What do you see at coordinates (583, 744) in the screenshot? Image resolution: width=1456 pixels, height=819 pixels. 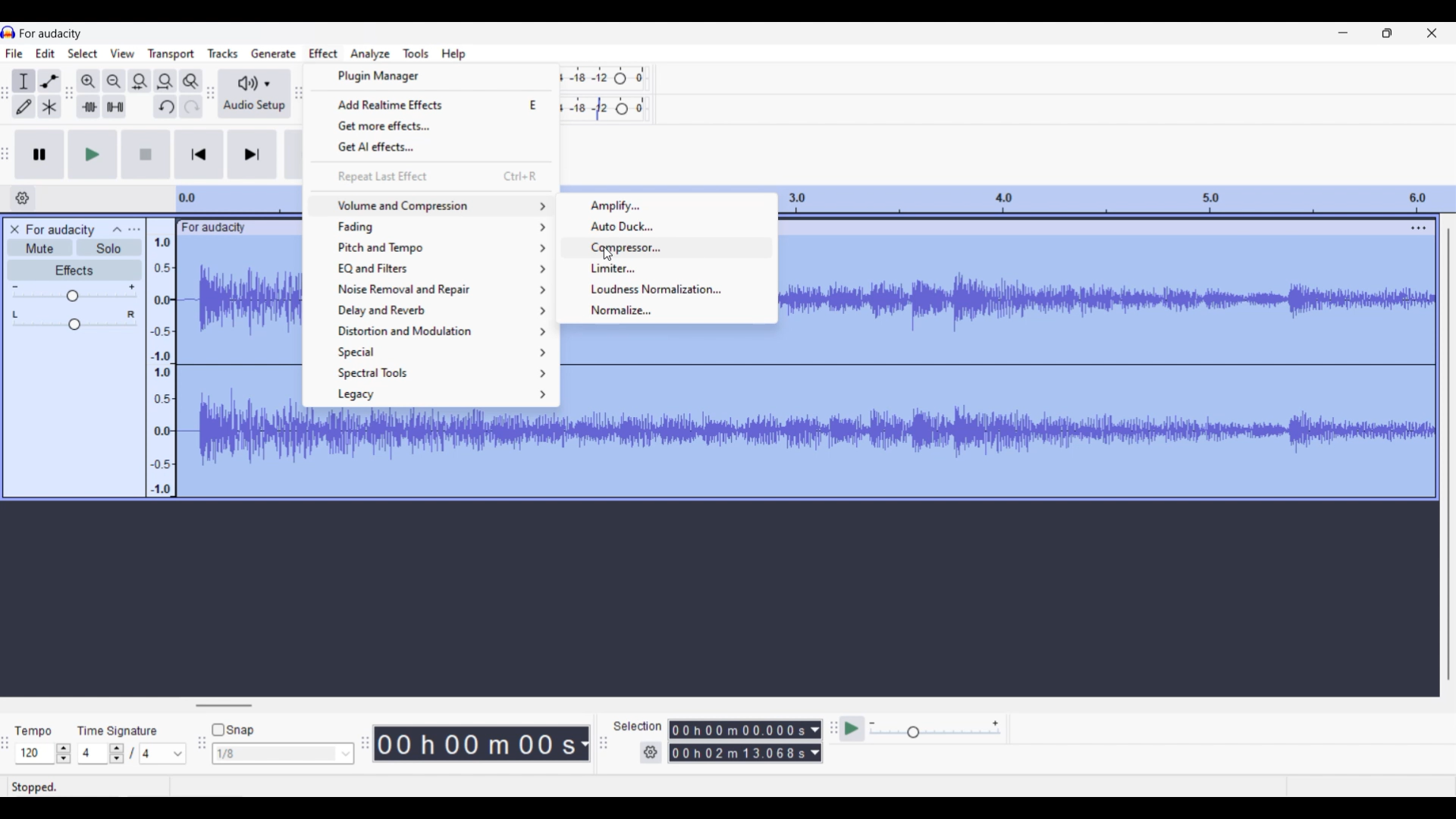 I see `Duration measurement` at bounding box center [583, 744].